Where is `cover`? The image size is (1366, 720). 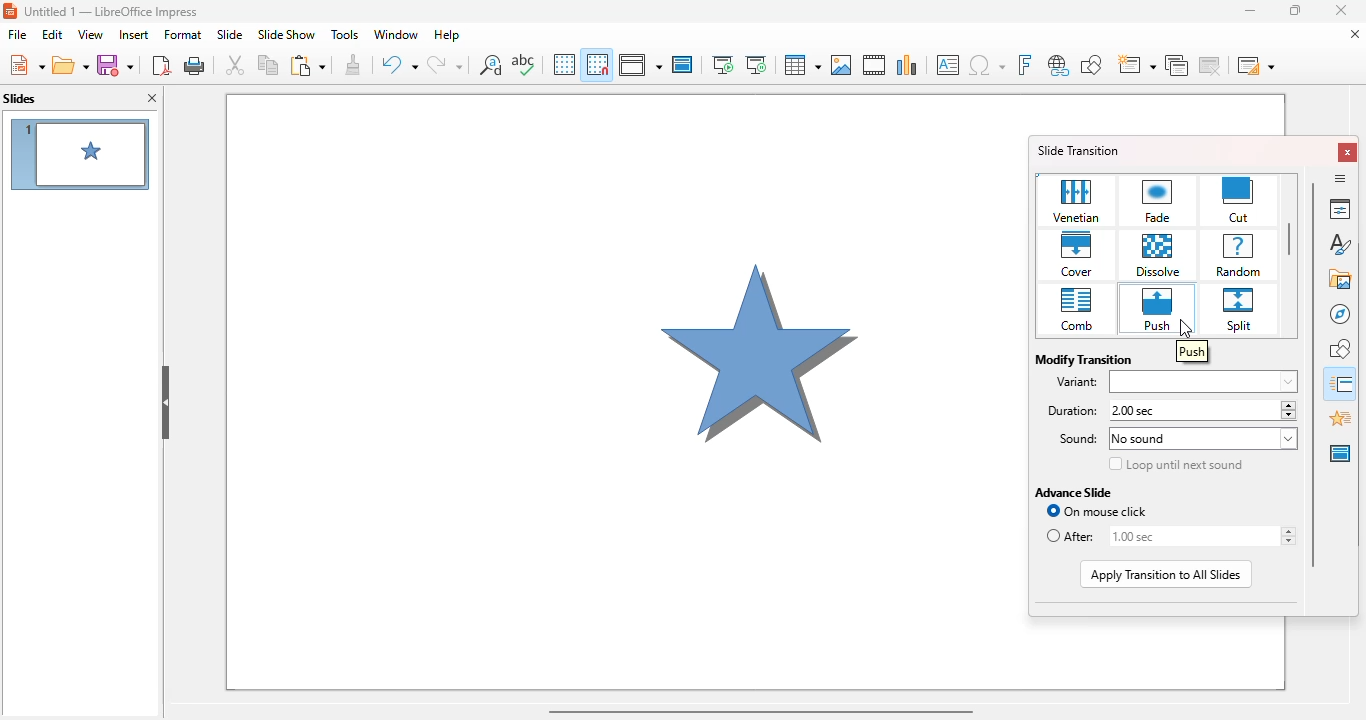 cover is located at coordinates (1078, 255).